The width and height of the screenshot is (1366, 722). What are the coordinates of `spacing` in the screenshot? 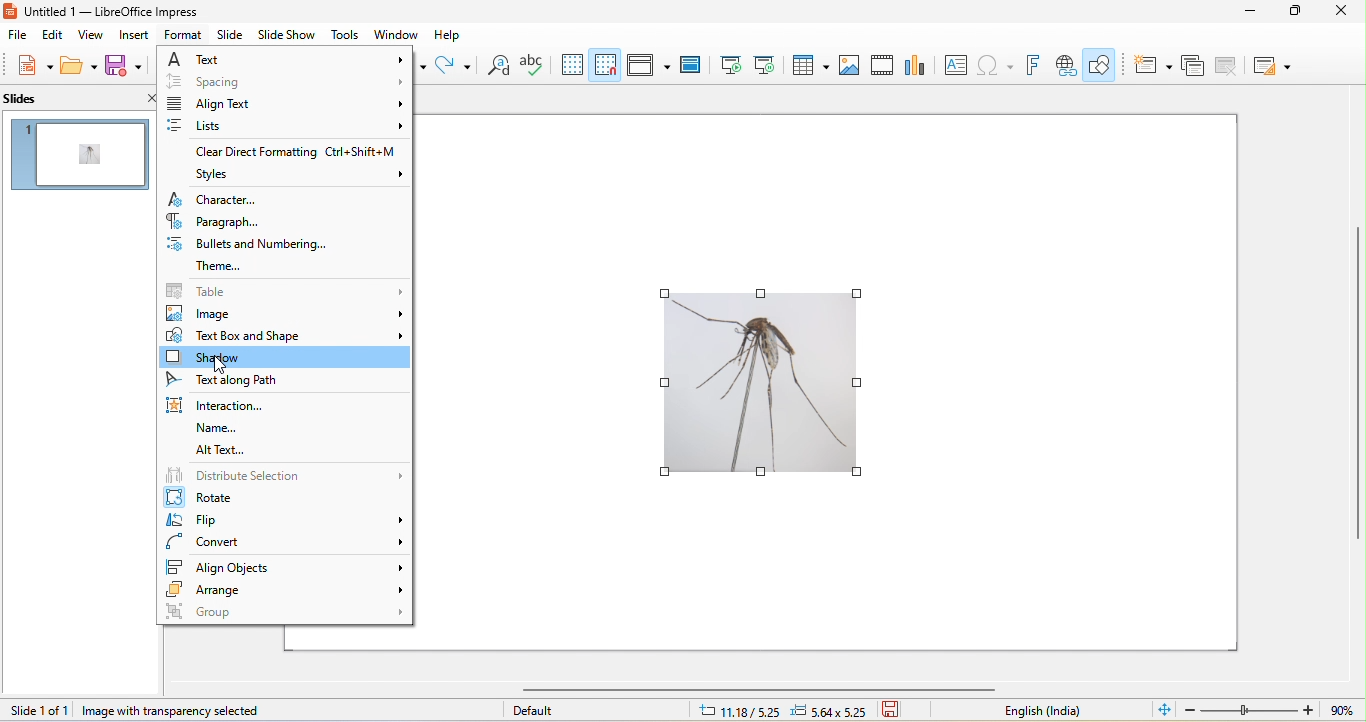 It's located at (287, 81).